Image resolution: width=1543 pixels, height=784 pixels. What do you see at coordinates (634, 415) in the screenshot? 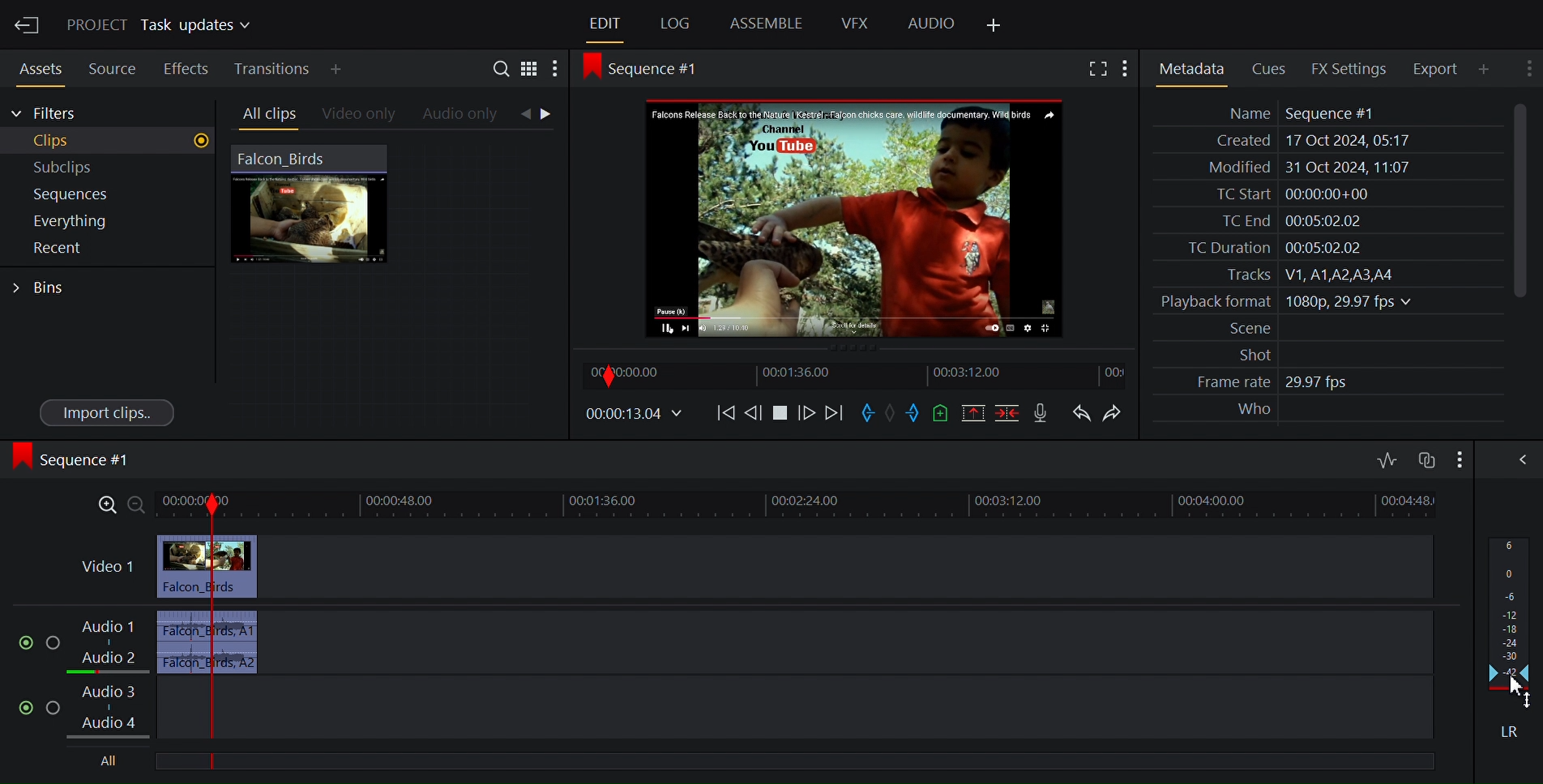
I see `00.00.13.04` at bounding box center [634, 415].